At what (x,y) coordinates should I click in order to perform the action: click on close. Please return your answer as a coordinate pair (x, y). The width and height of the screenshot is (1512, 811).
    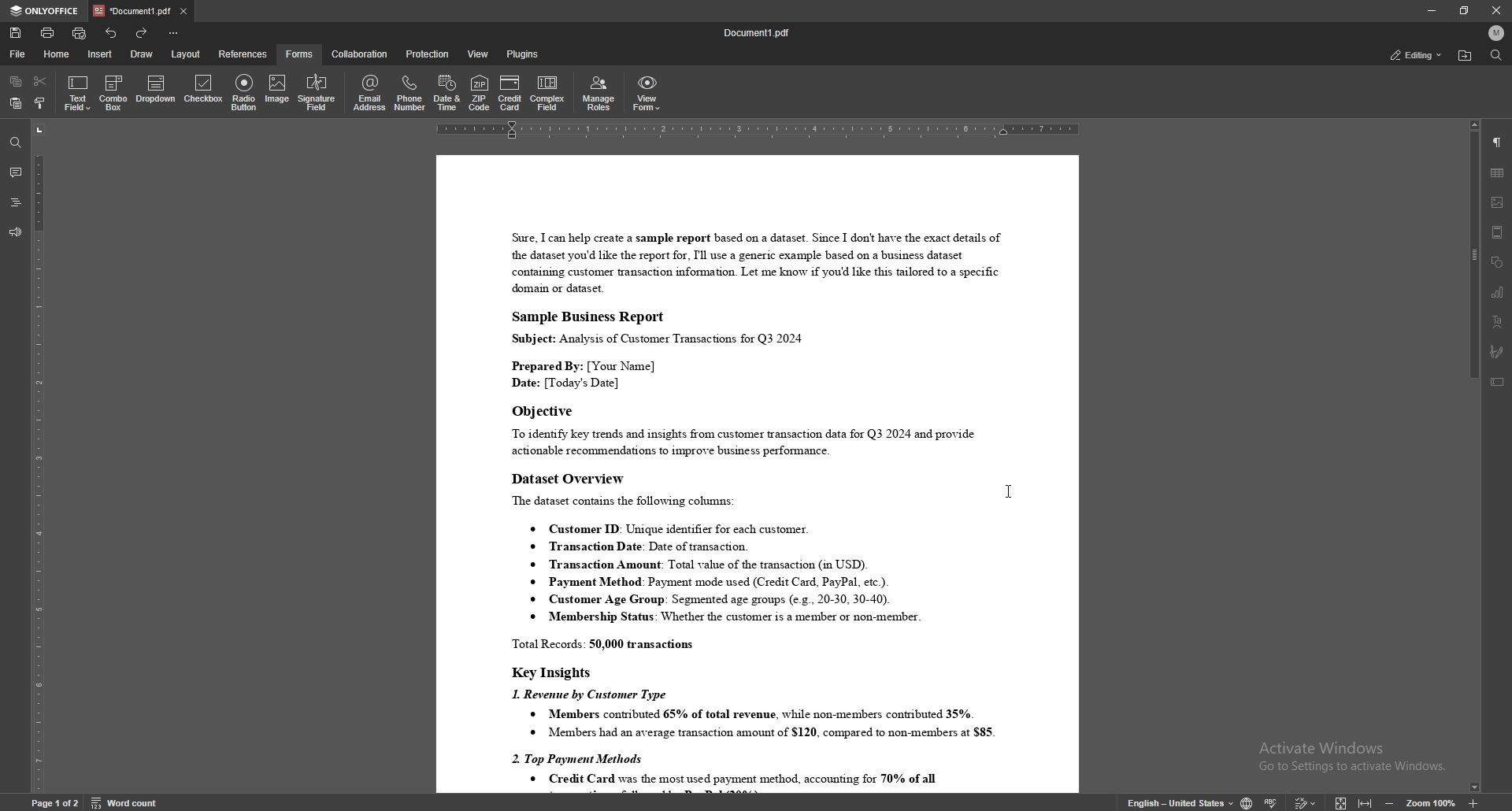
    Looking at the image, I should click on (1496, 10).